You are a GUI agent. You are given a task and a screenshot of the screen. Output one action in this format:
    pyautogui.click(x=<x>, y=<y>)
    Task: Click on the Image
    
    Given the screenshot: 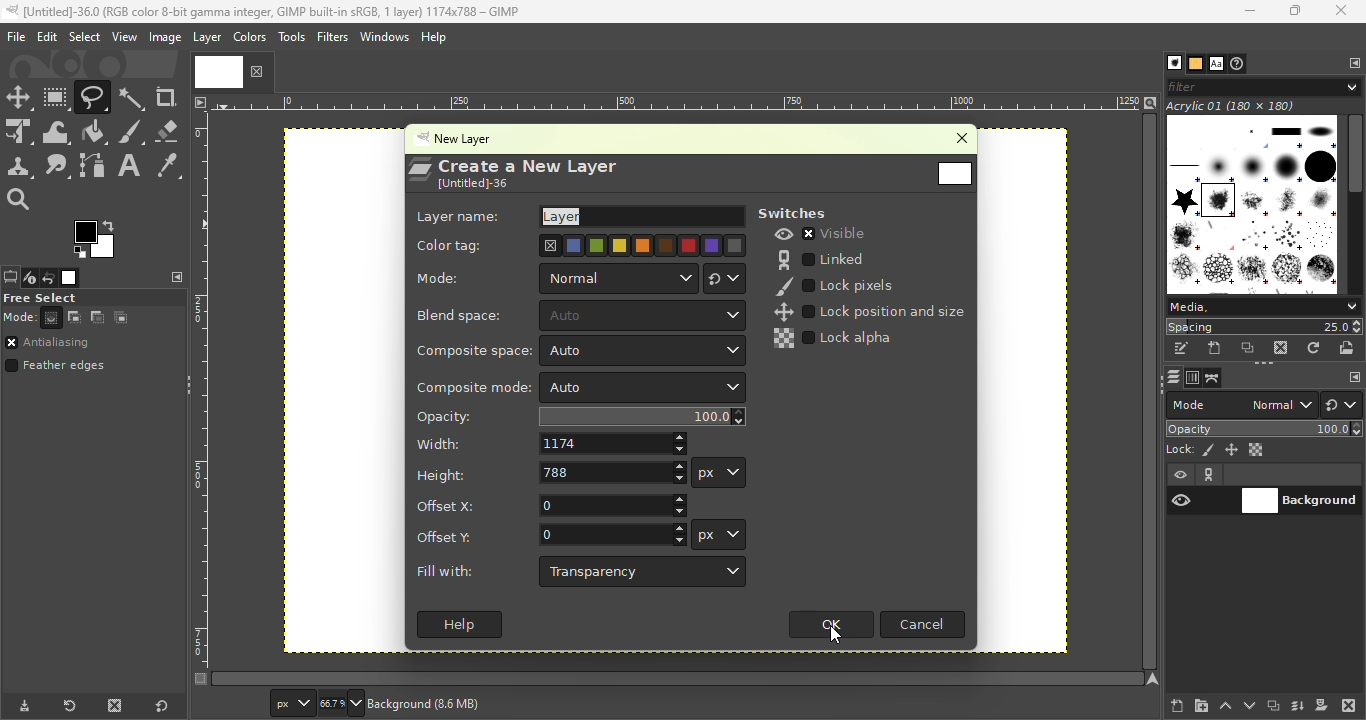 What is the action you would take?
    pyautogui.click(x=70, y=278)
    